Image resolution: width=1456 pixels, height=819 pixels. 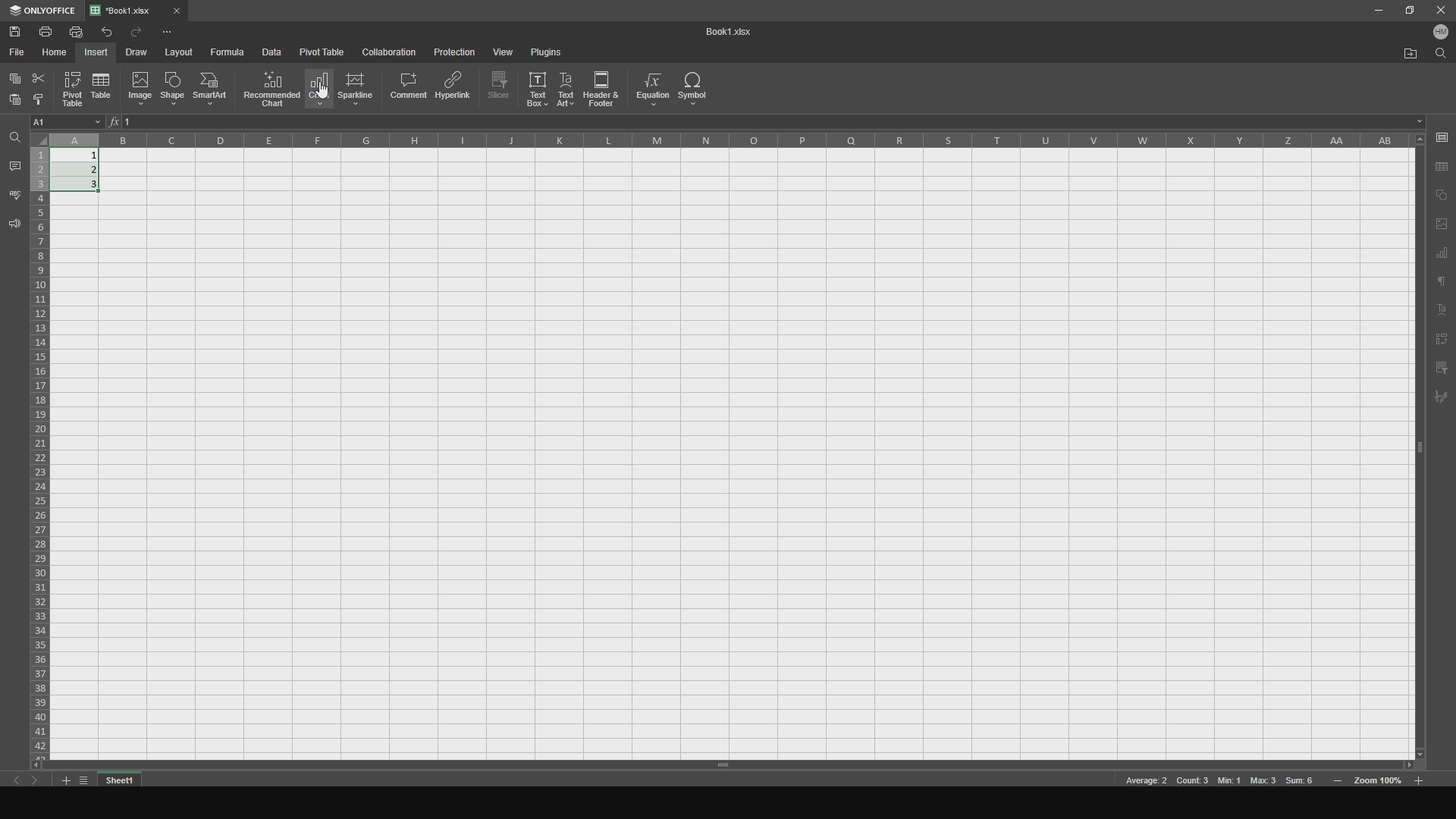 What do you see at coordinates (454, 88) in the screenshot?
I see `hyperlink` at bounding box center [454, 88].